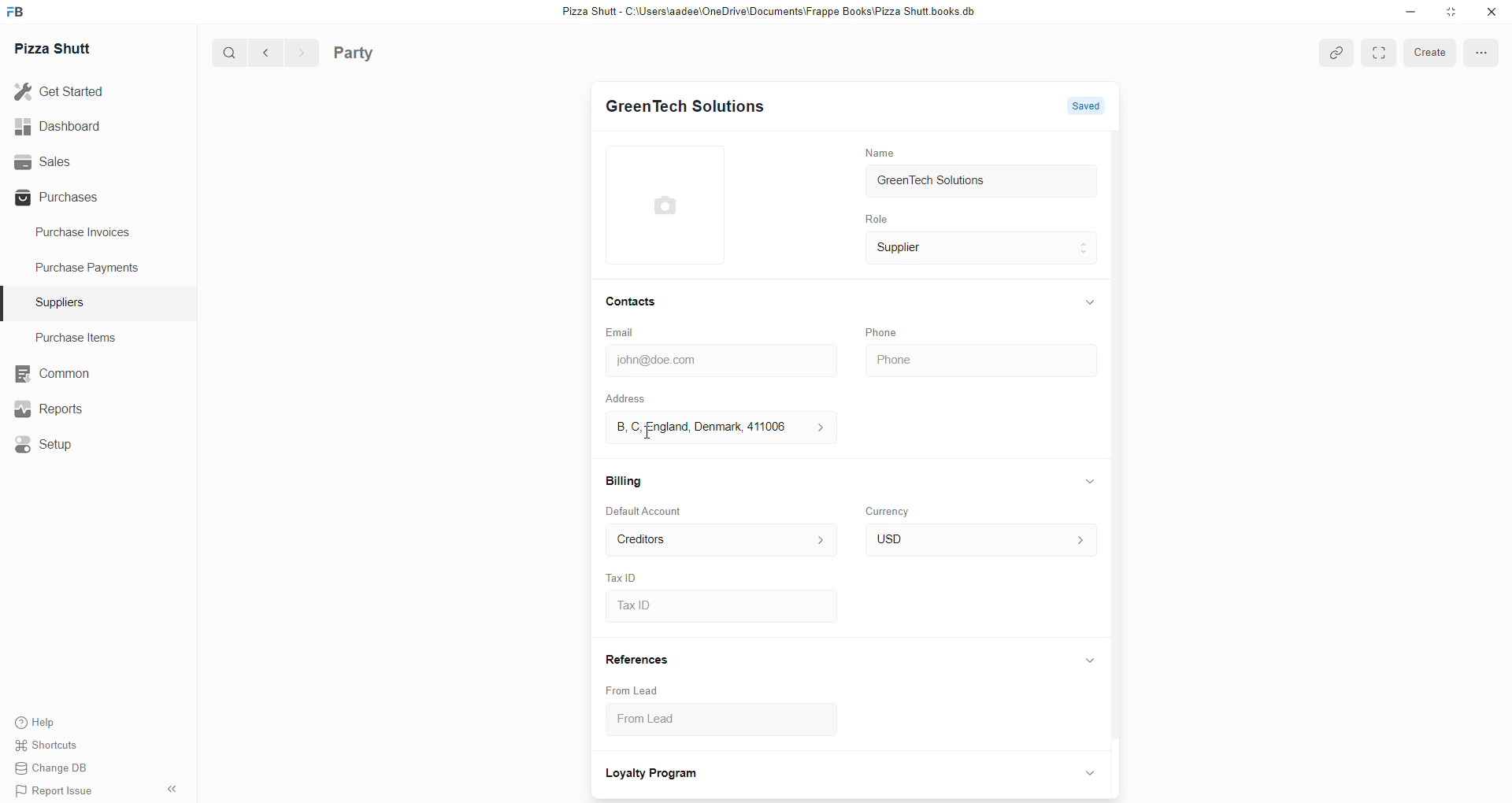  I want to click on john@doe.com, so click(717, 361).